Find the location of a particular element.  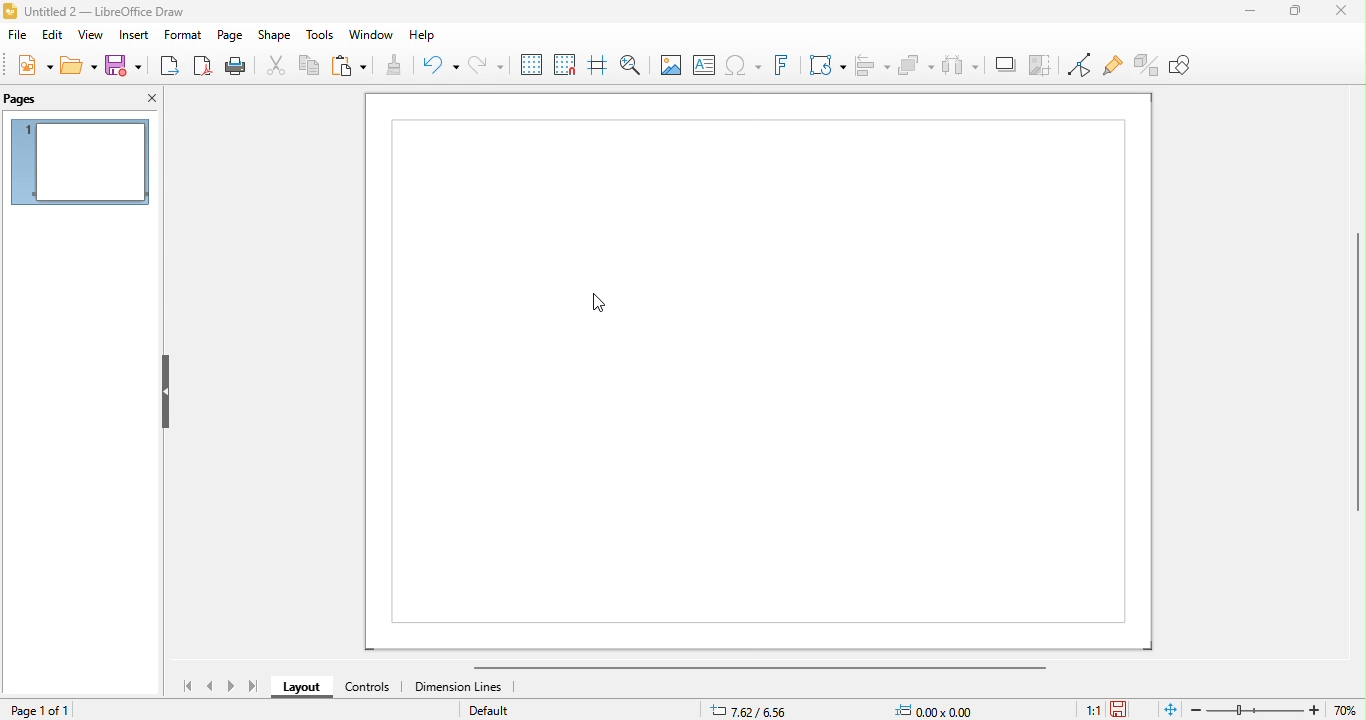

export as  is located at coordinates (170, 66).